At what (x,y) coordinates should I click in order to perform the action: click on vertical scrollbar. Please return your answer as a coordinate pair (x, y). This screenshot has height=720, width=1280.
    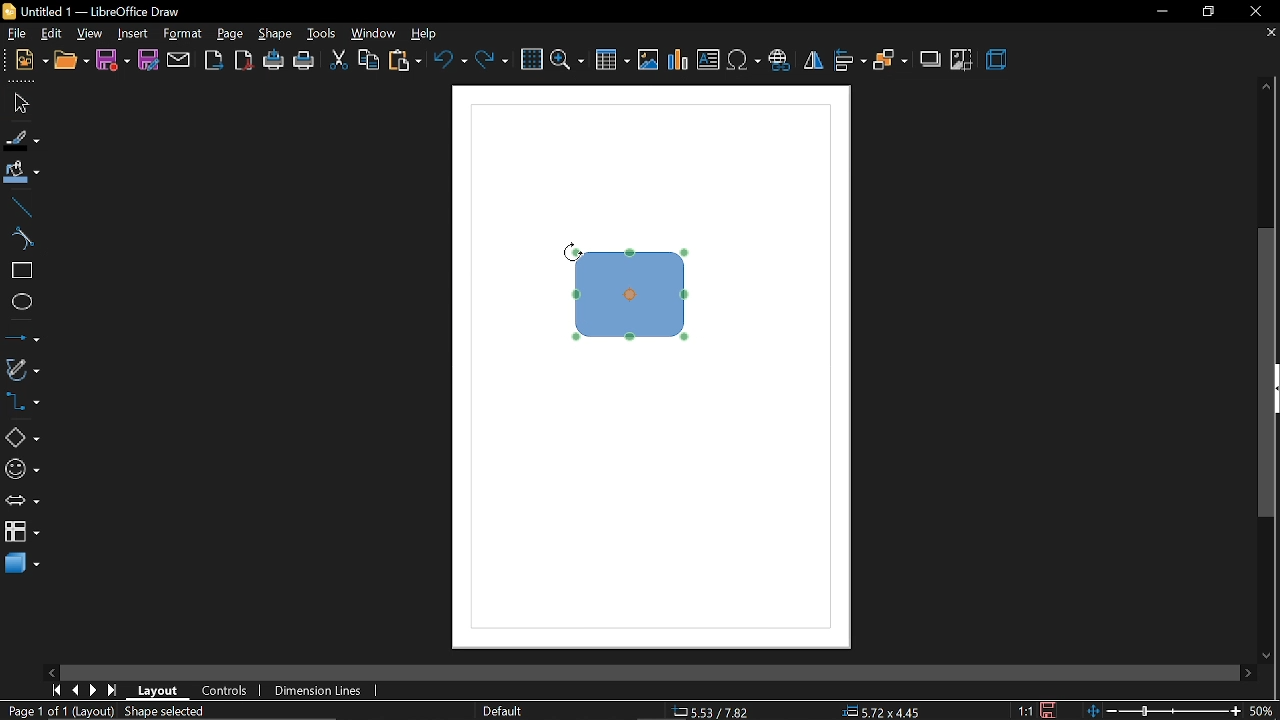
    Looking at the image, I should click on (1266, 373).